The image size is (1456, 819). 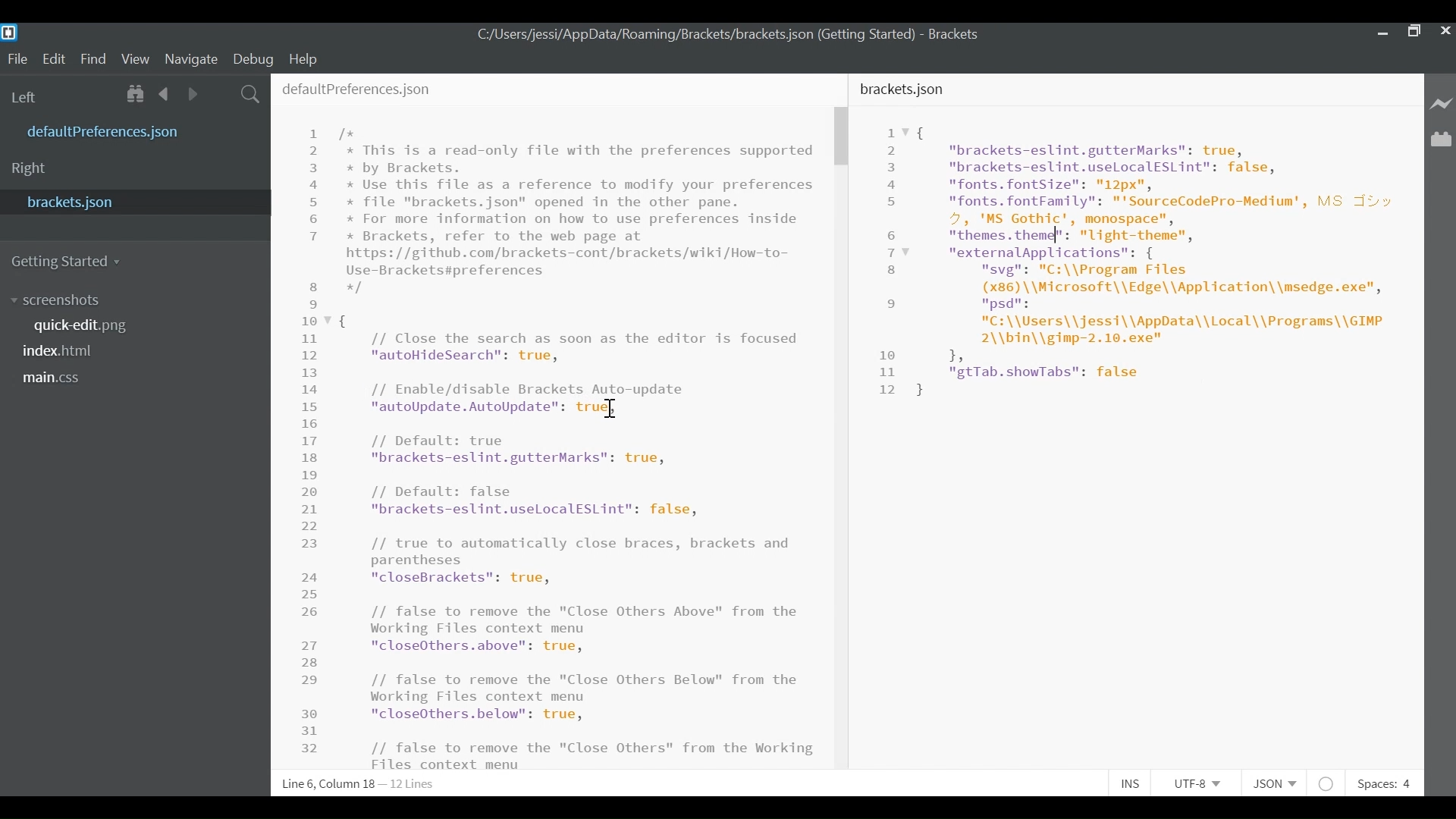 I want to click on Debug, so click(x=256, y=58).